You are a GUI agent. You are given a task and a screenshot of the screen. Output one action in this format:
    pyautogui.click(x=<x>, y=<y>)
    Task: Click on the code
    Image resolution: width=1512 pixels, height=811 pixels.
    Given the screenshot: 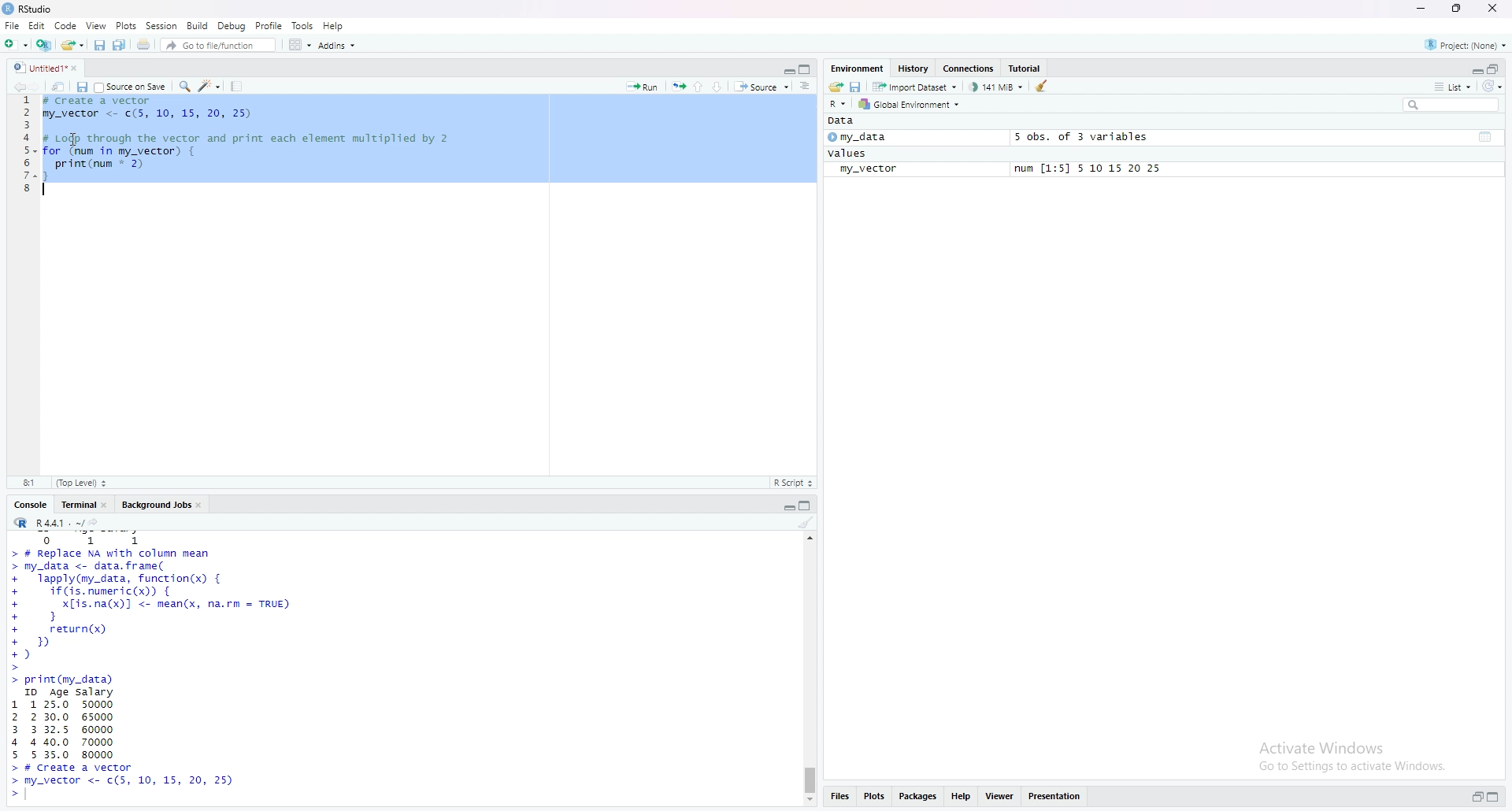 What is the action you would take?
    pyautogui.click(x=65, y=26)
    